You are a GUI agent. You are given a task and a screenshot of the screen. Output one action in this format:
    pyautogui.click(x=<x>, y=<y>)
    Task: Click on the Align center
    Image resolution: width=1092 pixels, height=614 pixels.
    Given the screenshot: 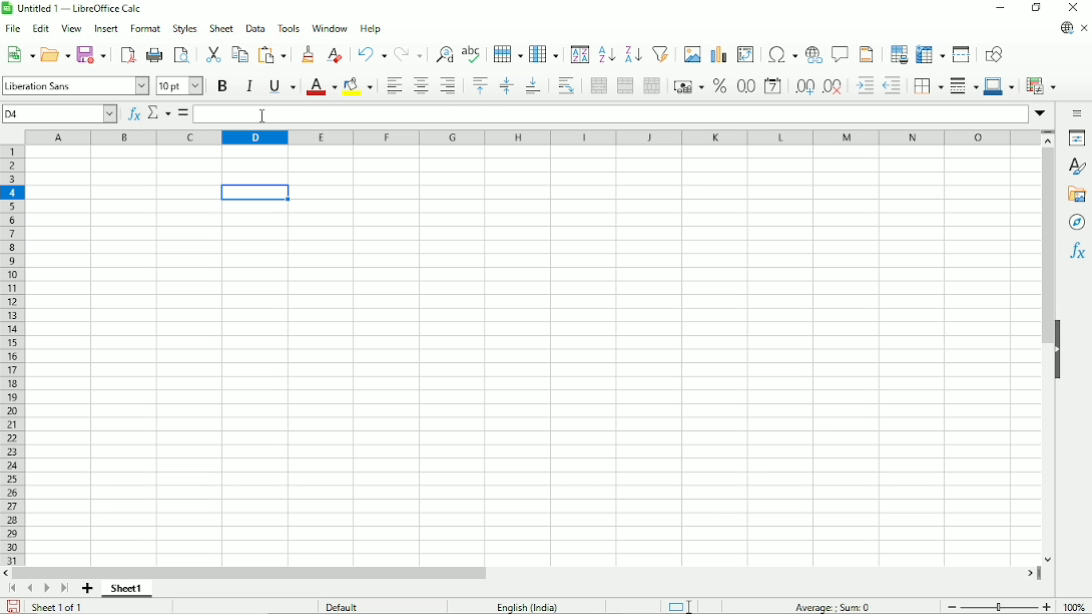 What is the action you would take?
    pyautogui.click(x=421, y=85)
    